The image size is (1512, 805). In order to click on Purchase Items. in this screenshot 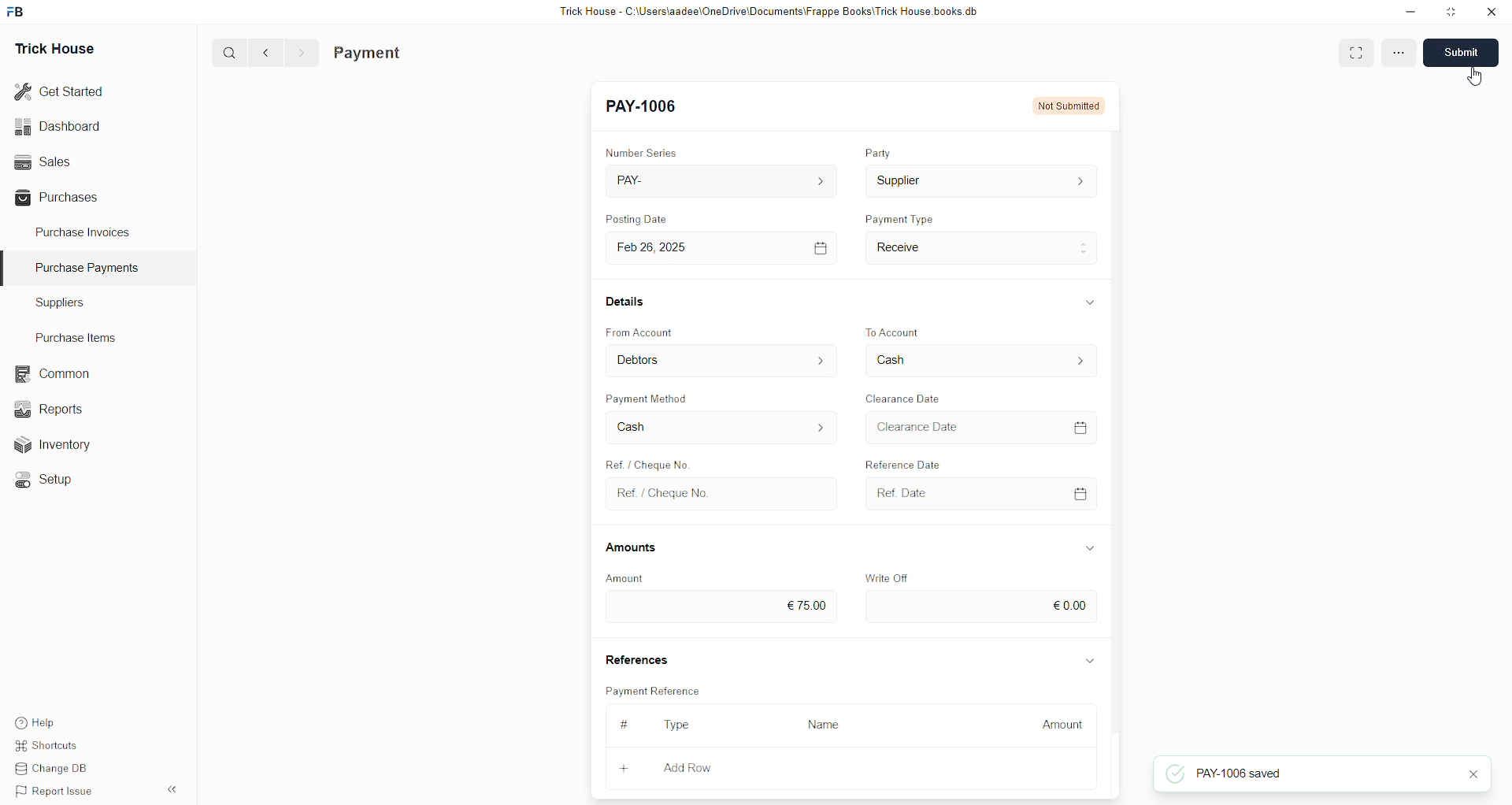, I will do `click(73, 336)`.